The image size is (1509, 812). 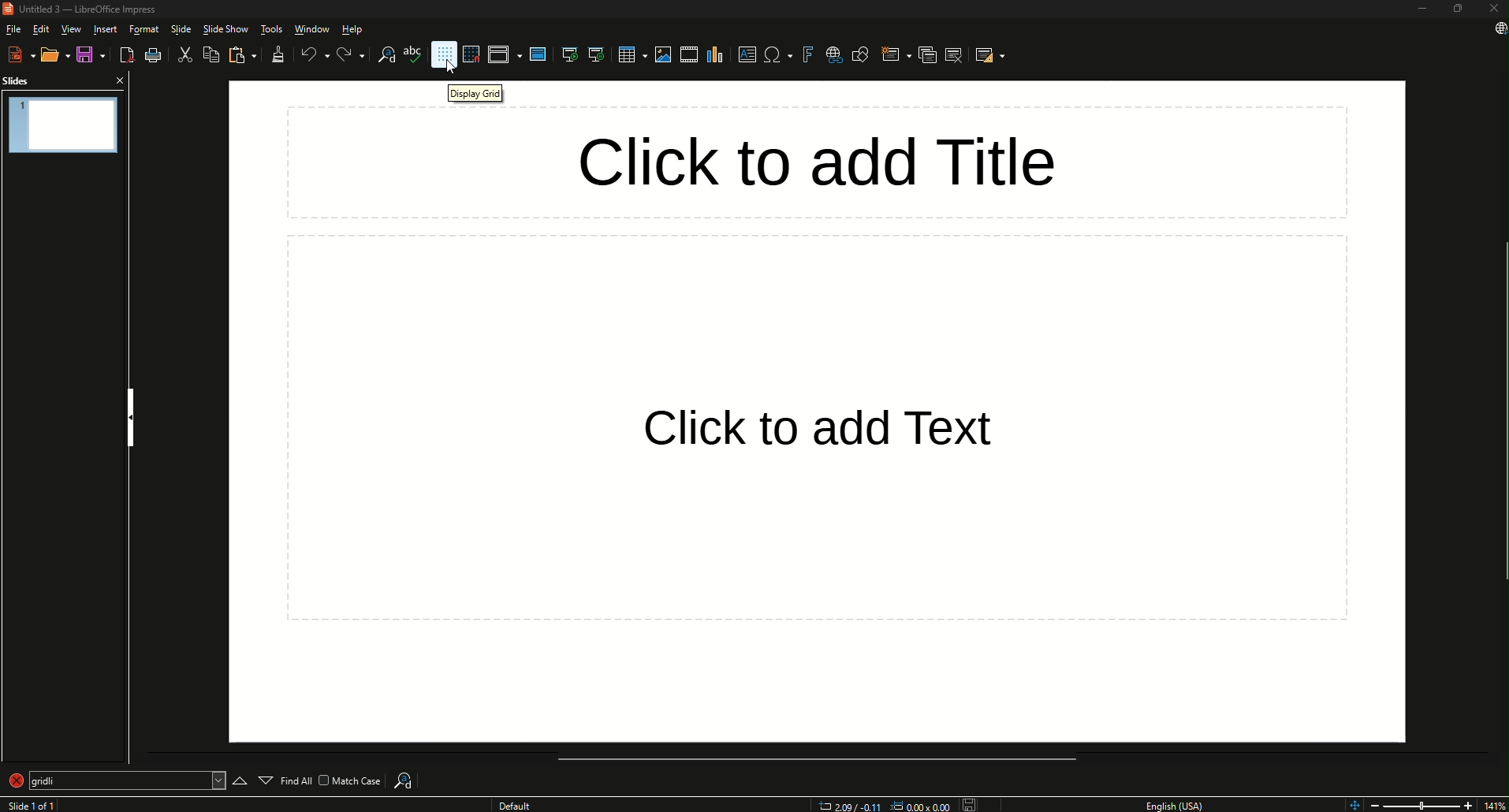 I want to click on Edit, so click(x=41, y=28).